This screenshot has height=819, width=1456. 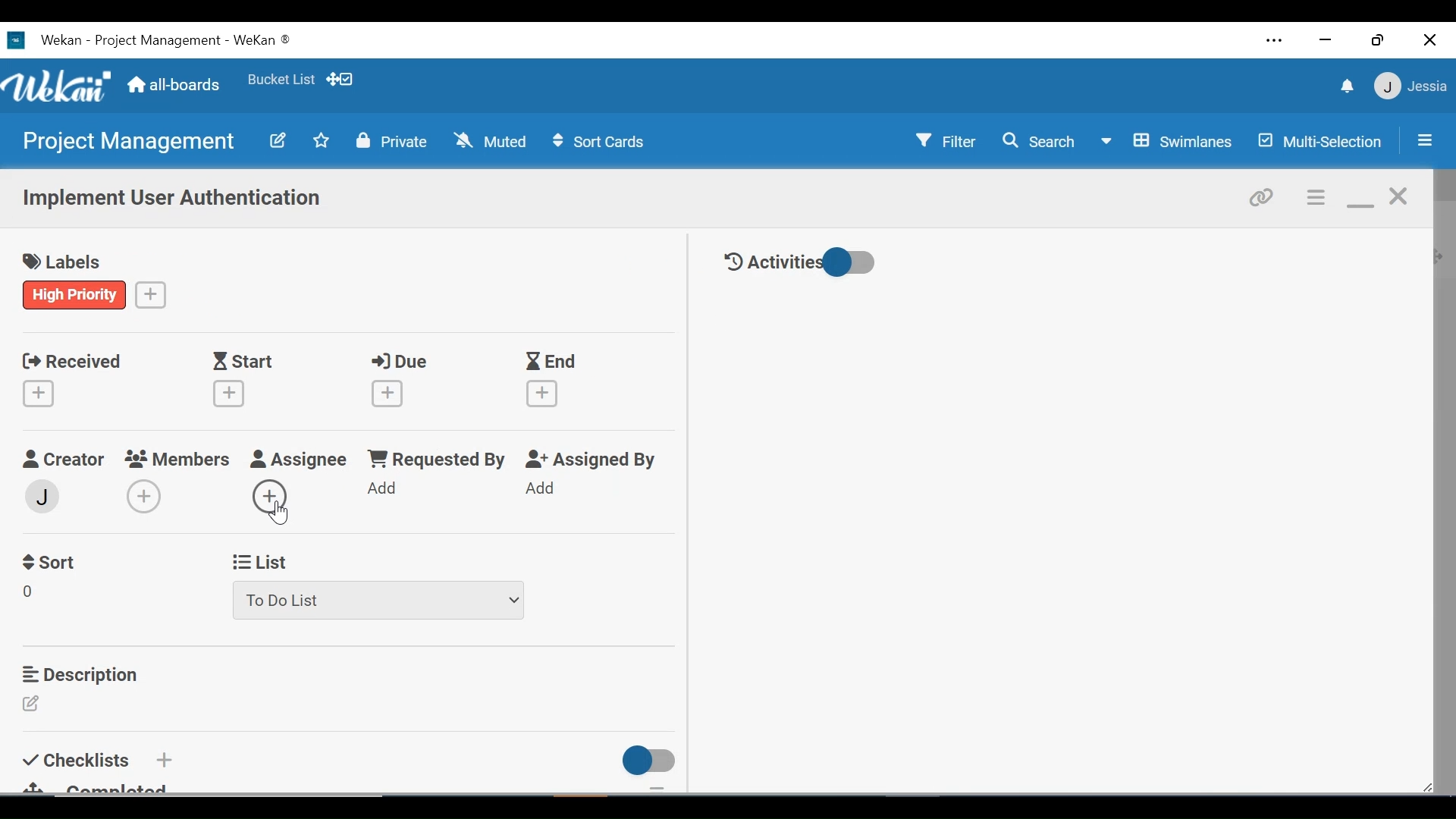 I want to click on Multi-selection, so click(x=1322, y=141).